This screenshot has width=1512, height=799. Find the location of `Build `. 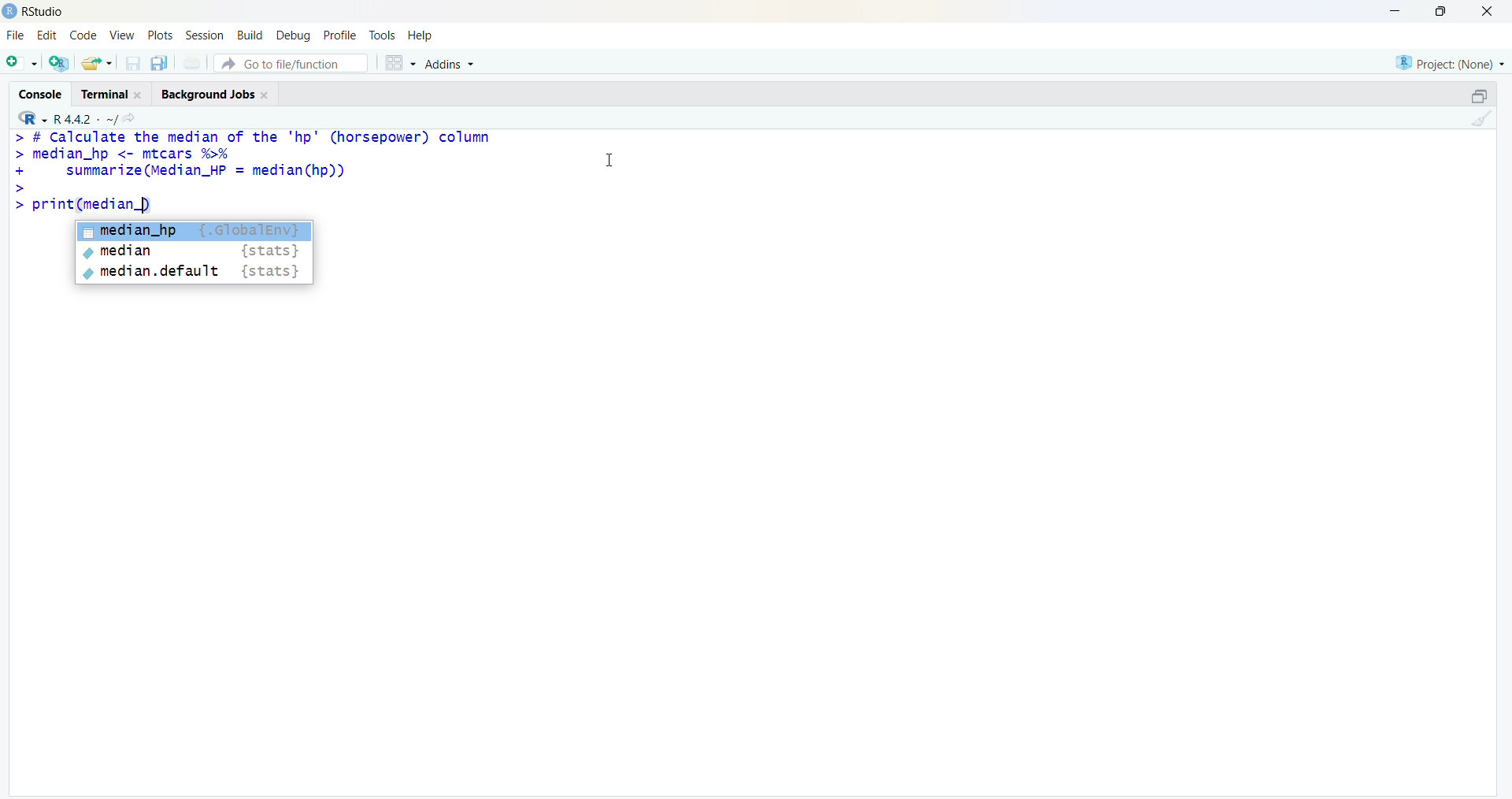

Build  is located at coordinates (252, 36).